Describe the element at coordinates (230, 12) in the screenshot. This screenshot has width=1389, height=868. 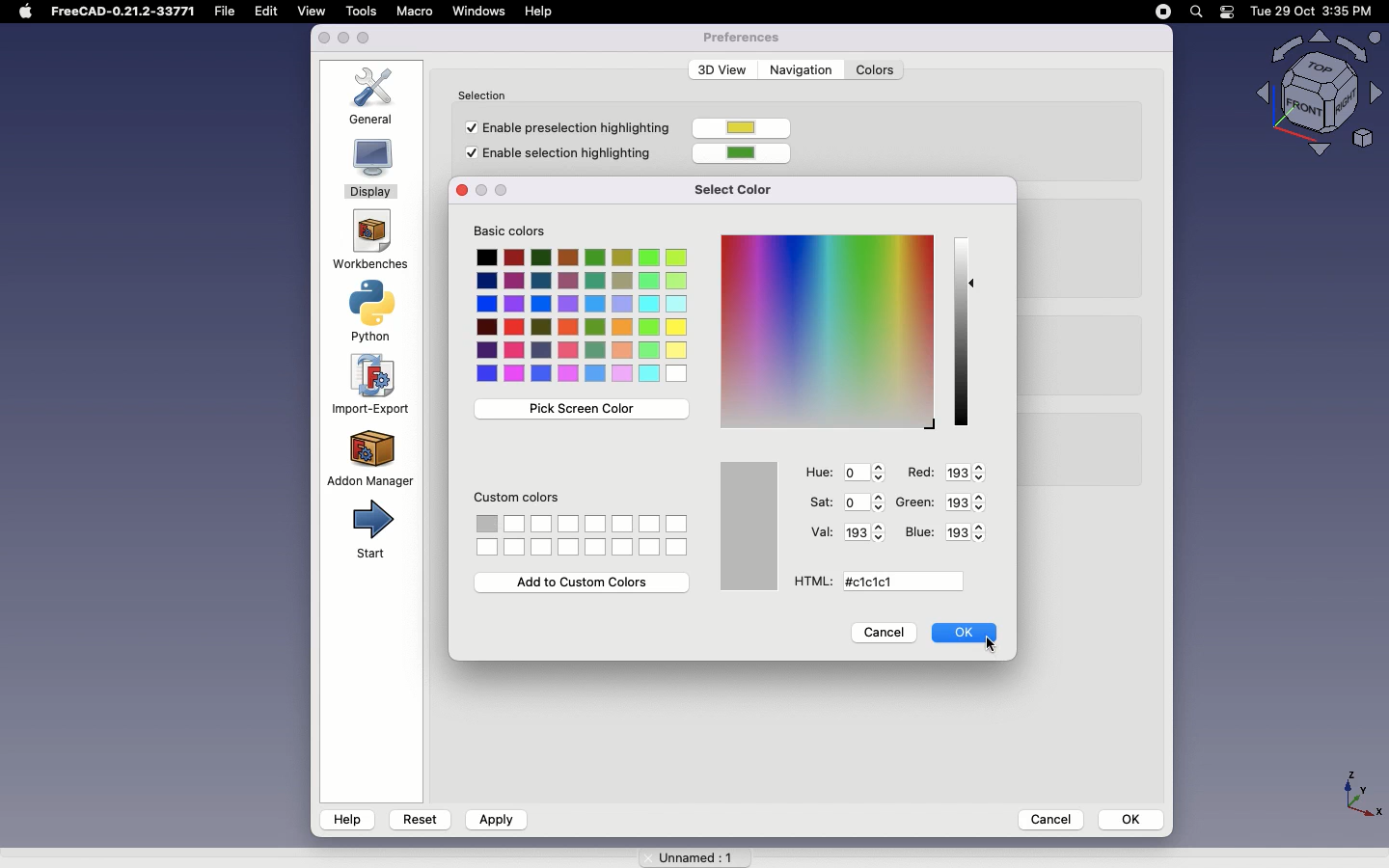
I see `file` at that location.